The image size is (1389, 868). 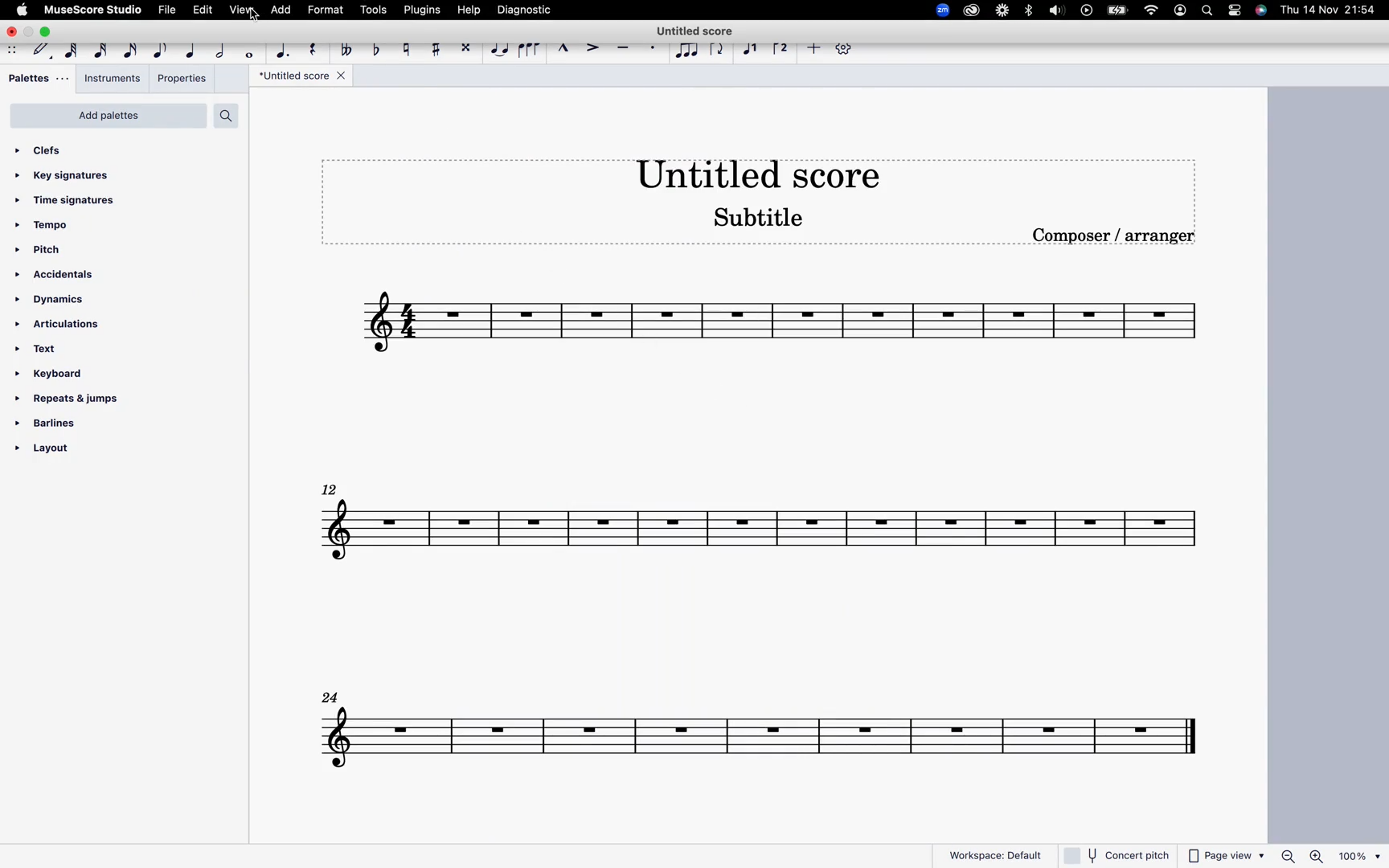 I want to click on toggle natural, so click(x=402, y=50).